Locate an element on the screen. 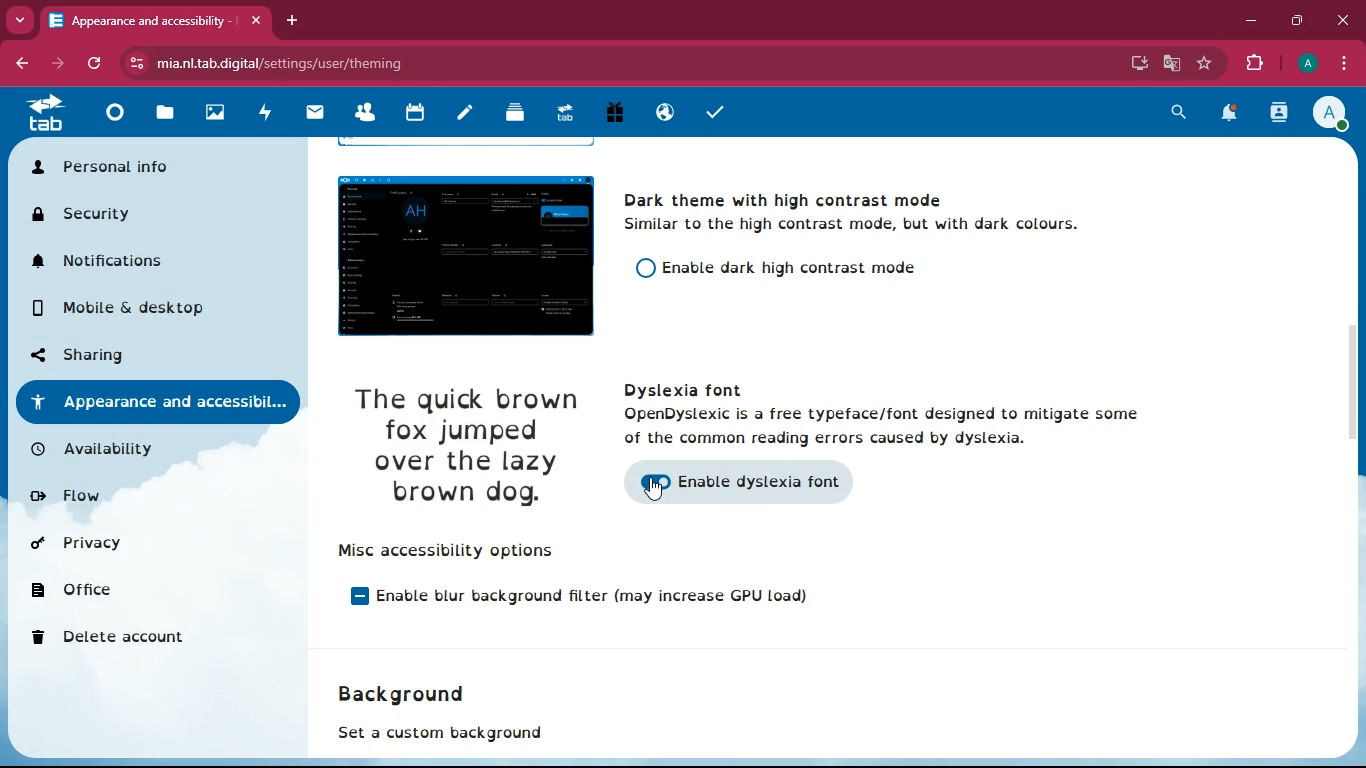 The height and width of the screenshot is (768, 1366). close is located at coordinates (1343, 21).